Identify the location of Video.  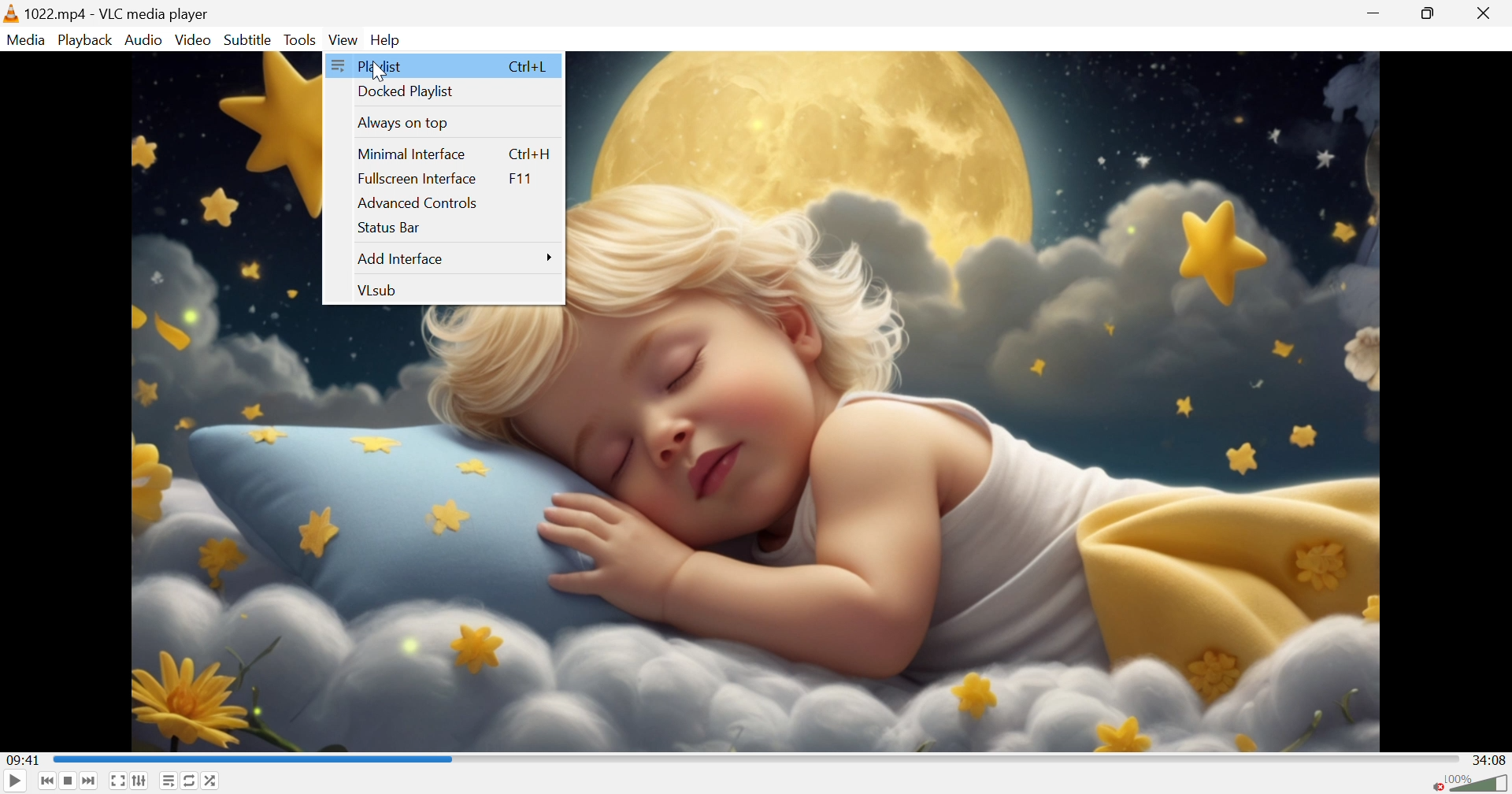
(193, 42).